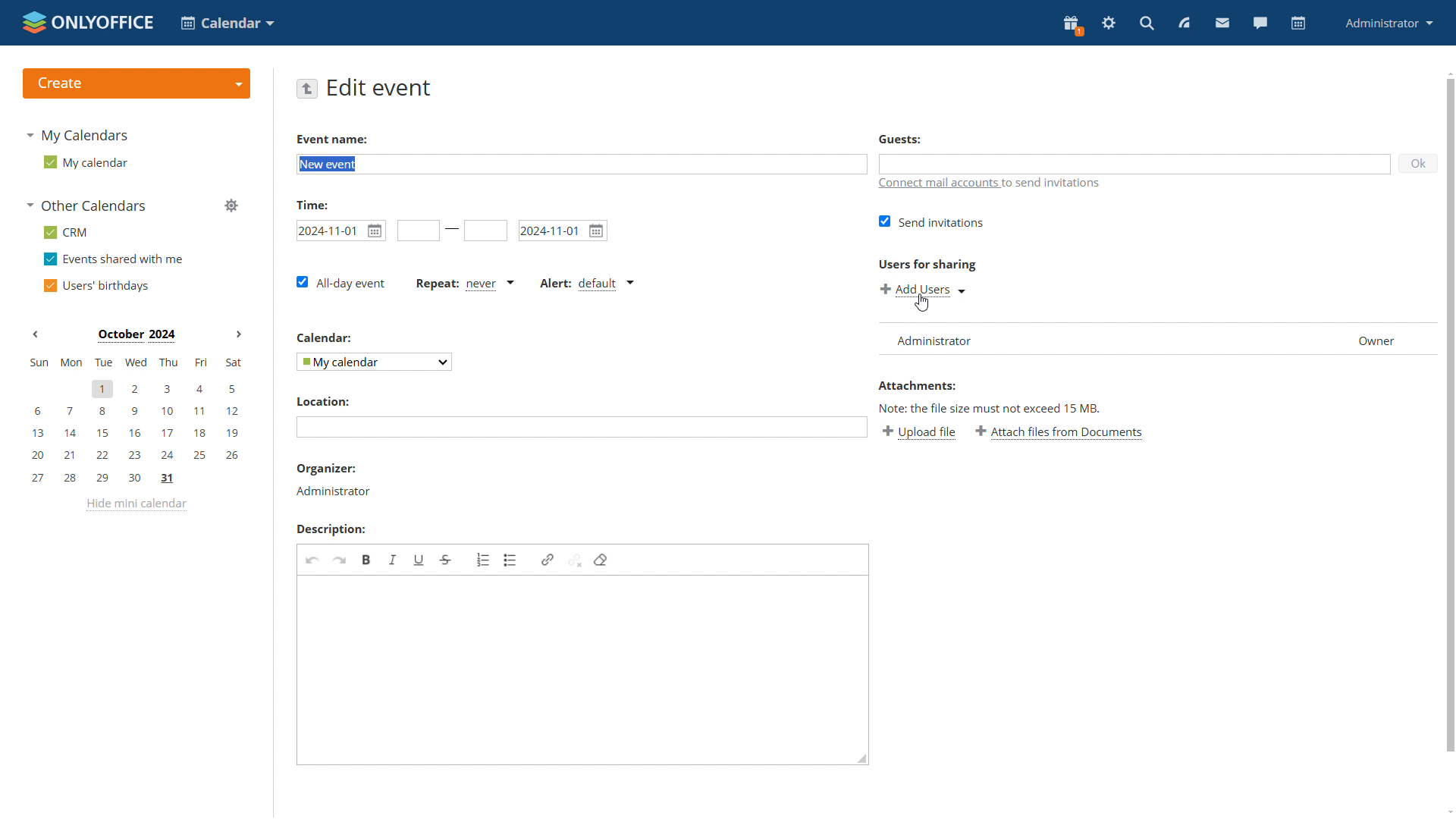  What do you see at coordinates (1146, 24) in the screenshot?
I see `search` at bounding box center [1146, 24].